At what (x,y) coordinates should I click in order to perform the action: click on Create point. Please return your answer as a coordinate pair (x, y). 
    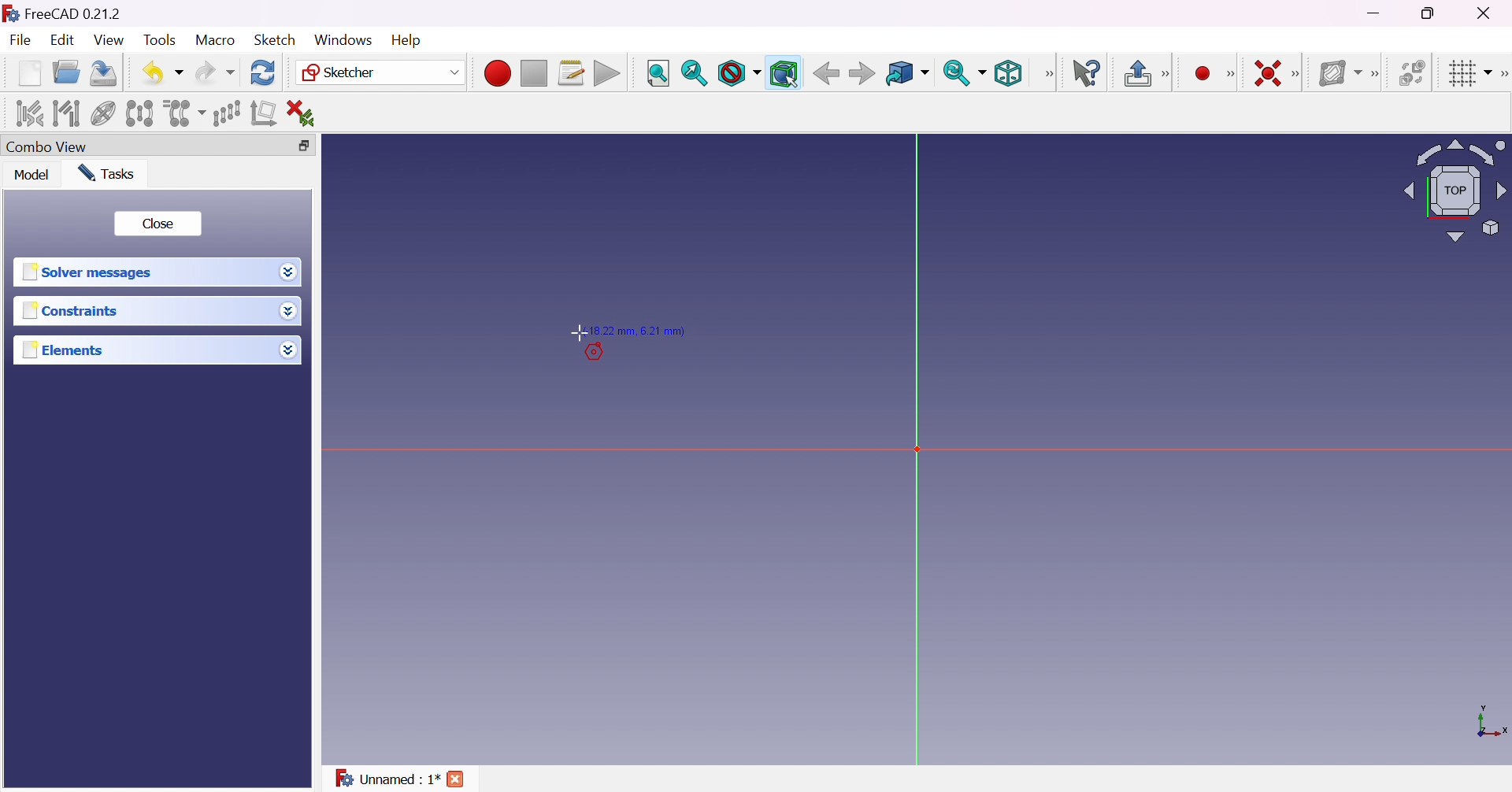
    Looking at the image, I should click on (1204, 74).